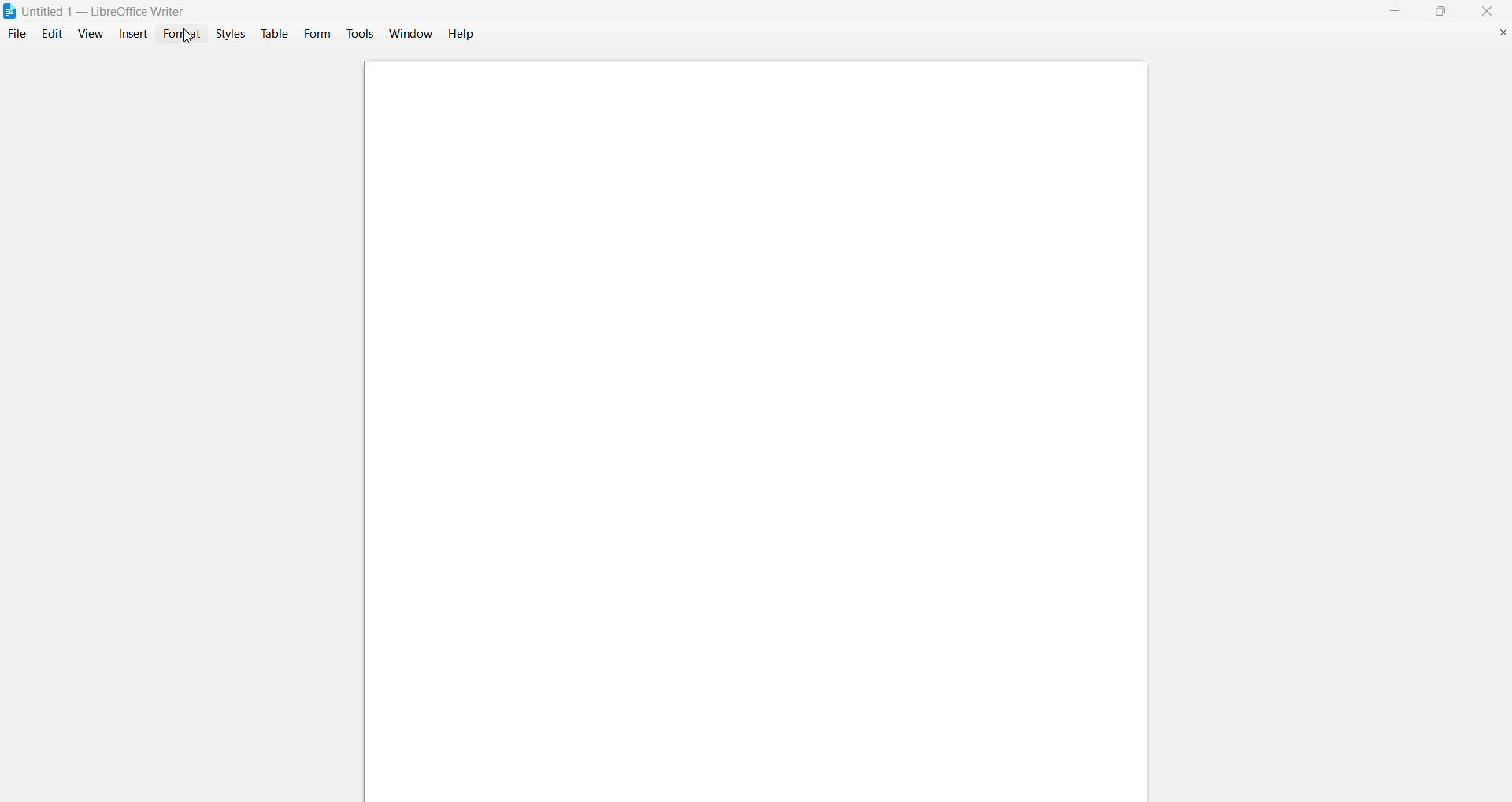 The width and height of the screenshot is (1512, 802). What do you see at coordinates (1441, 10) in the screenshot?
I see `maximum` at bounding box center [1441, 10].